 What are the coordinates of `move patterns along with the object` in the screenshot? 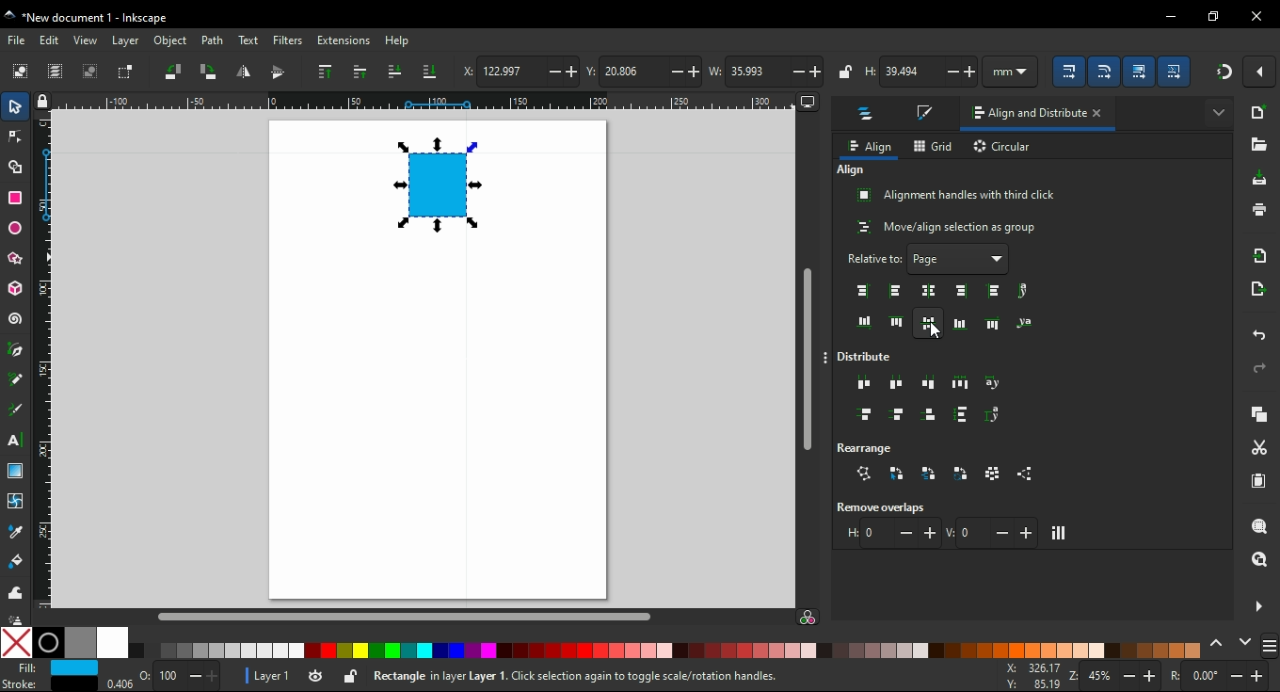 It's located at (1176, 70).